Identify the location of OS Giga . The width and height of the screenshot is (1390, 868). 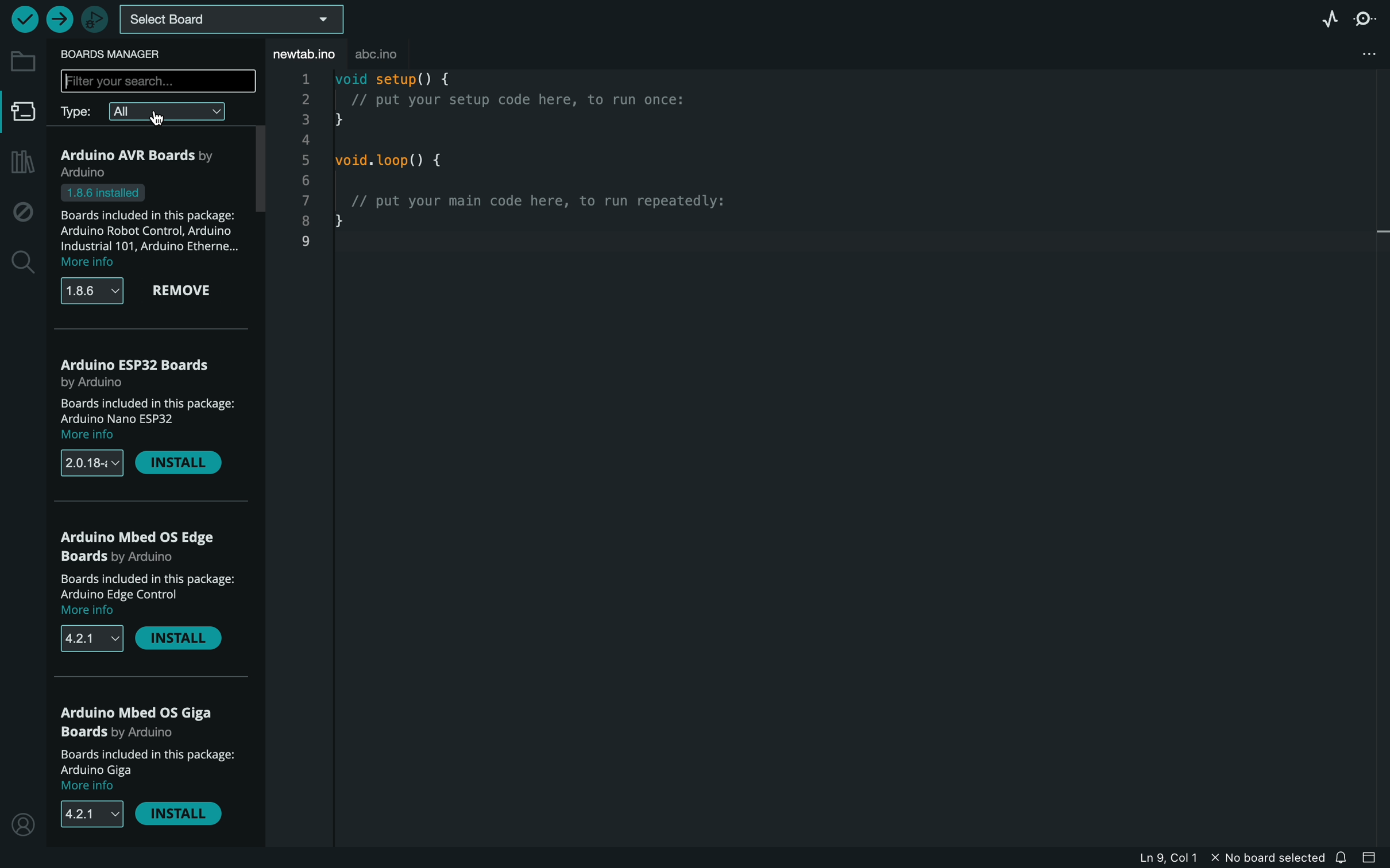
(145, 723).